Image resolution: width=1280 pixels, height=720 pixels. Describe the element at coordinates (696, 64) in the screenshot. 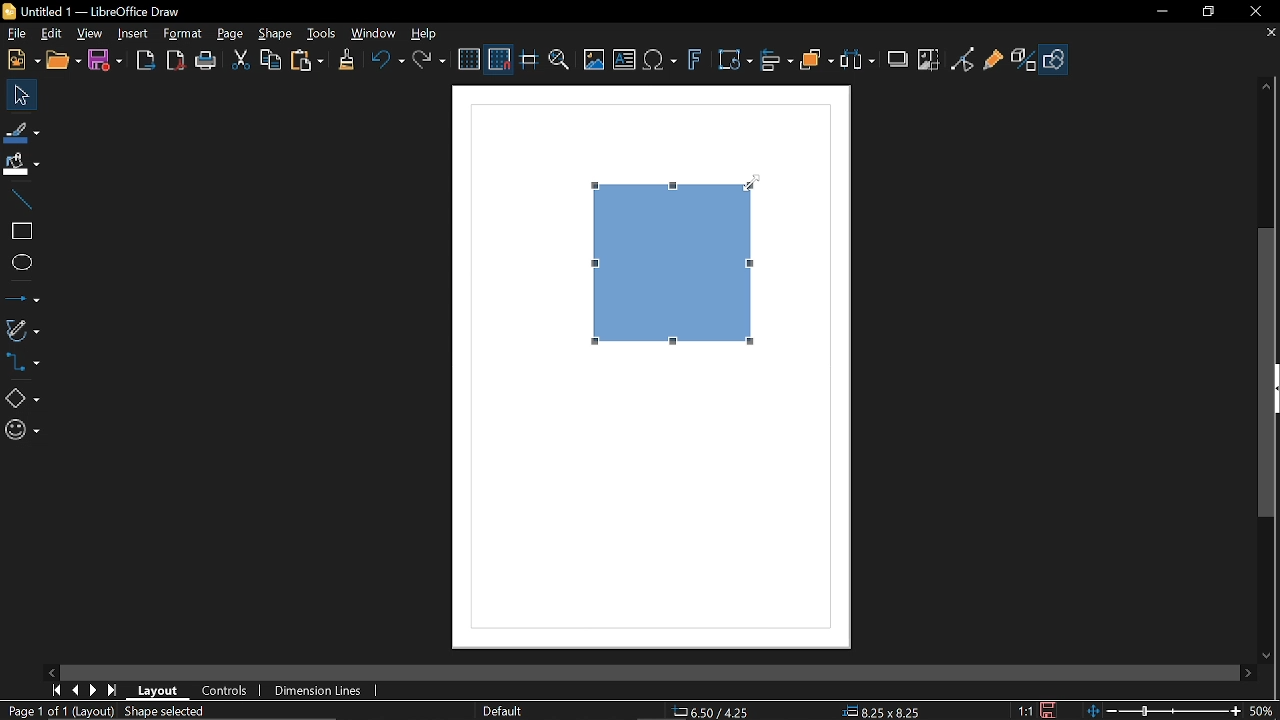

I see `Insert fontwork text` at that location.